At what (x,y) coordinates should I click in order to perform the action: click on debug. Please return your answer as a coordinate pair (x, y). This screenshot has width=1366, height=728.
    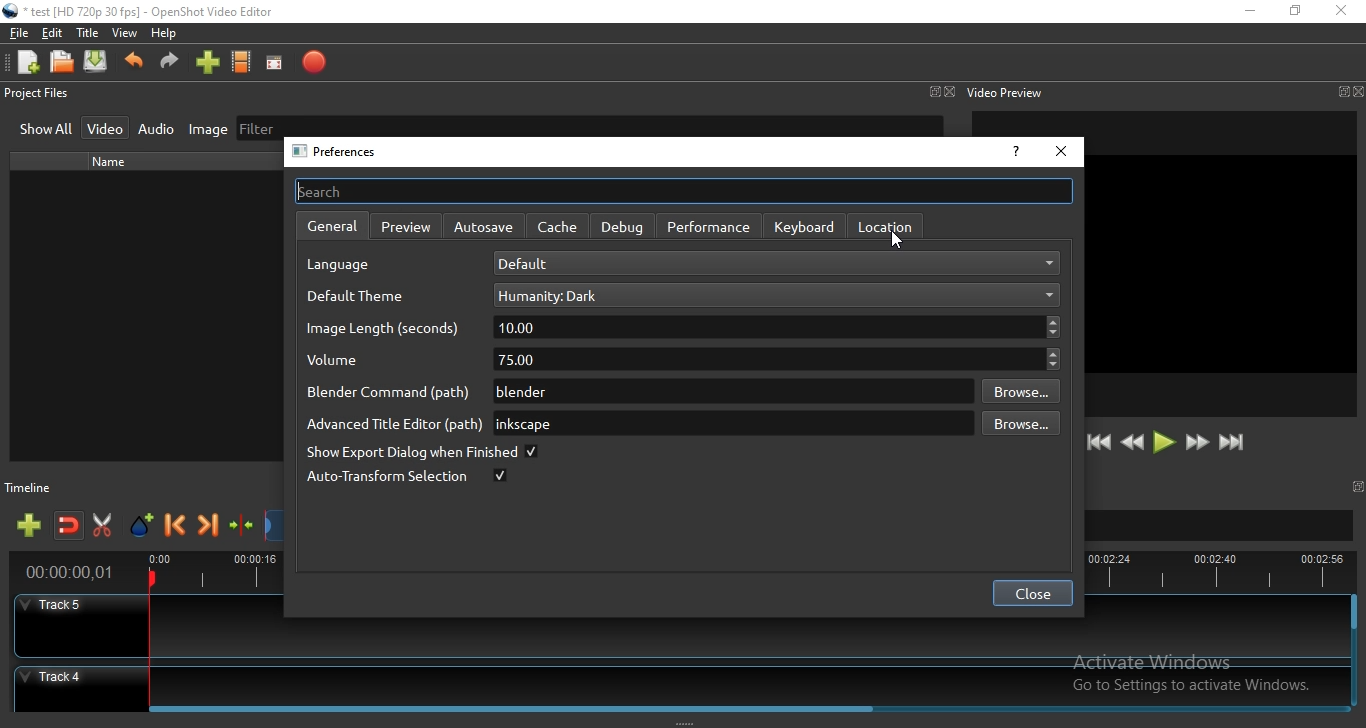
    Looking at the image, I should click on (621, 225).